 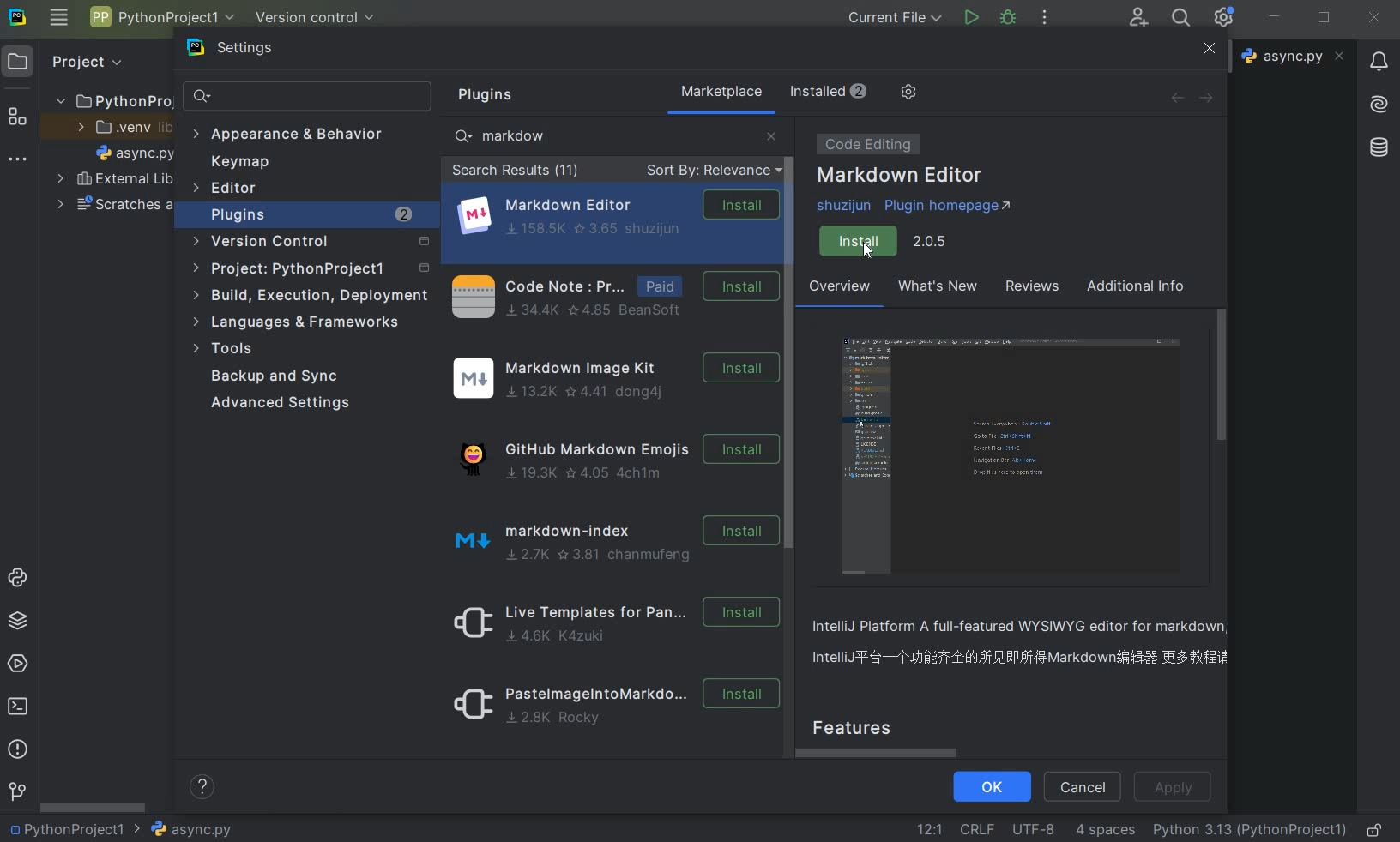 What do you see at coordinates (902, 177) in the screenshot?
I see `Markdown Editor` at bounding box center [902, 177].